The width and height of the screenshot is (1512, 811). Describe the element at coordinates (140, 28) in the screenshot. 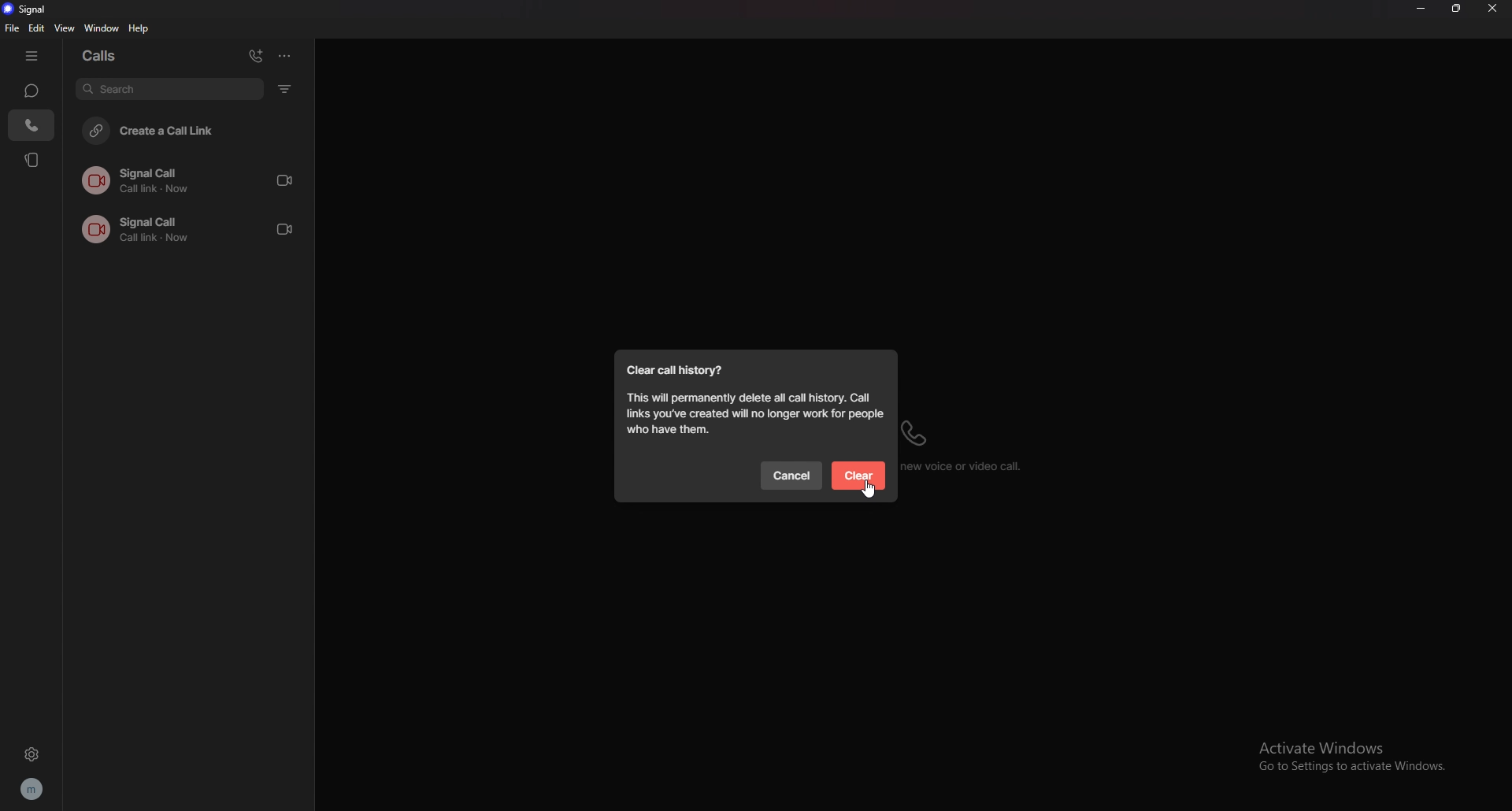

I see `help` at that location.